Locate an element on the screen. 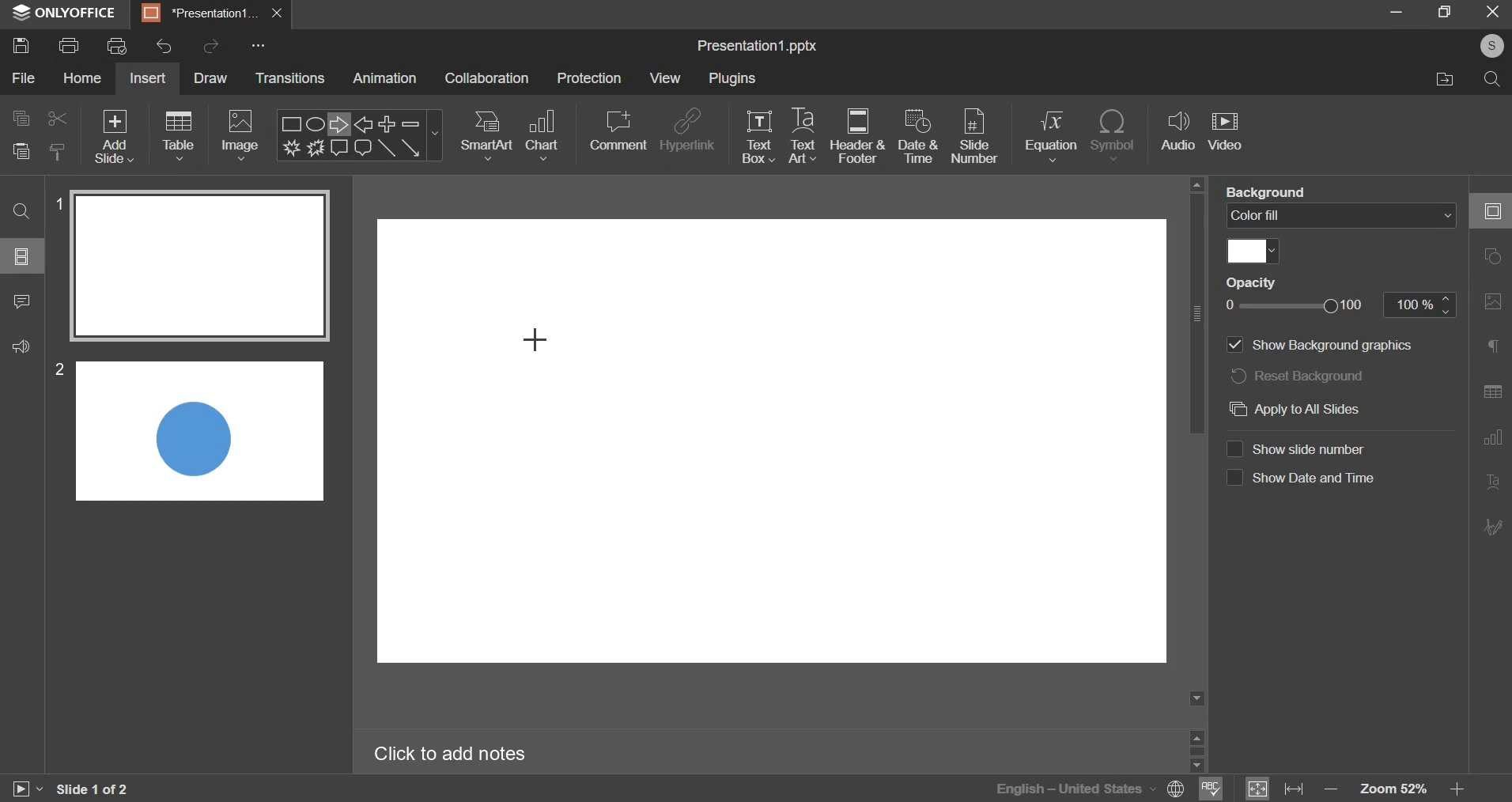 This screenshot has height=802, width=1512. start slideshow is located at coordinates (29, 787).